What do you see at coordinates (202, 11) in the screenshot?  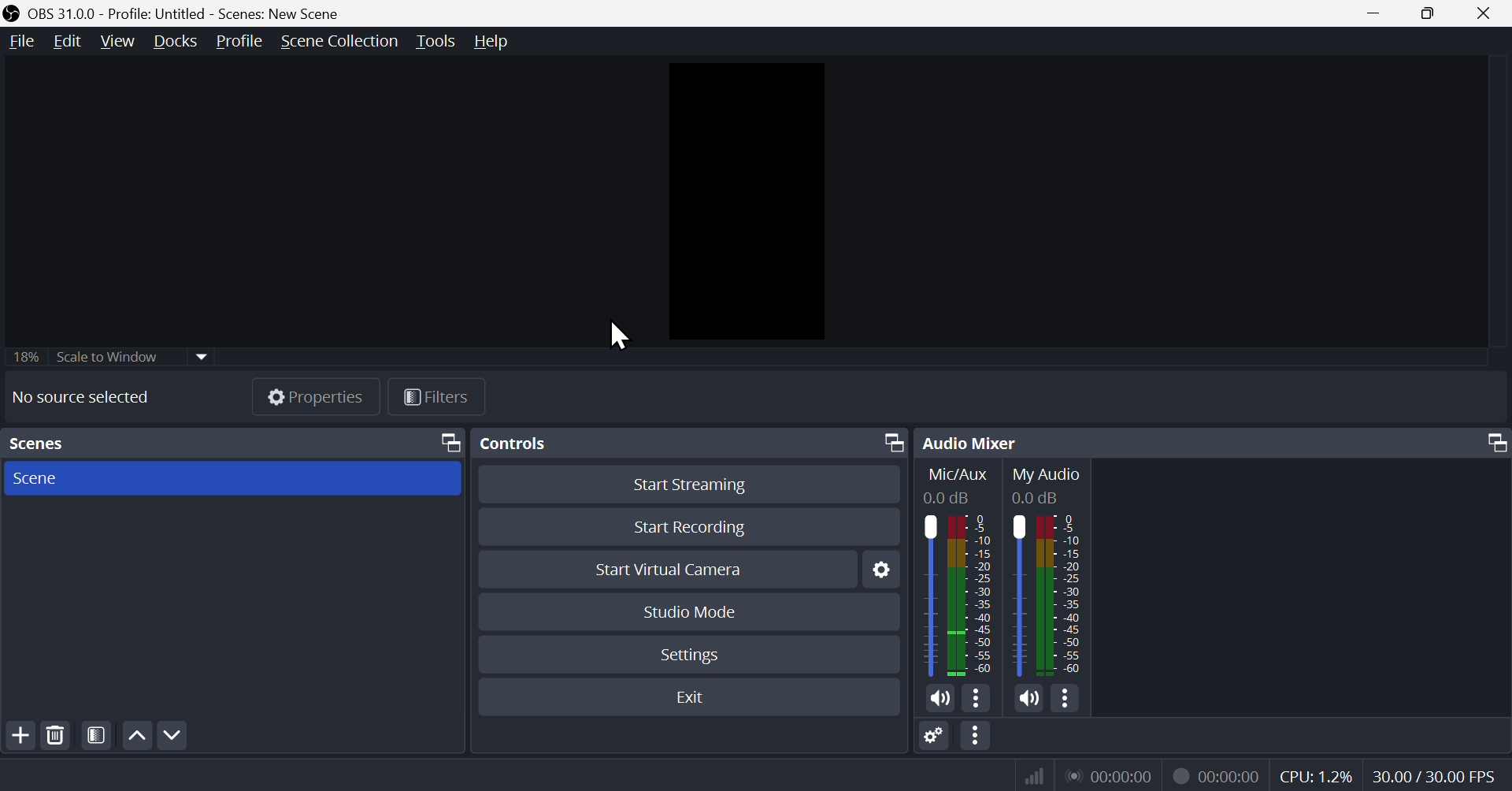 I see `OBS 31.0.0` at bounding box center [202, 11].